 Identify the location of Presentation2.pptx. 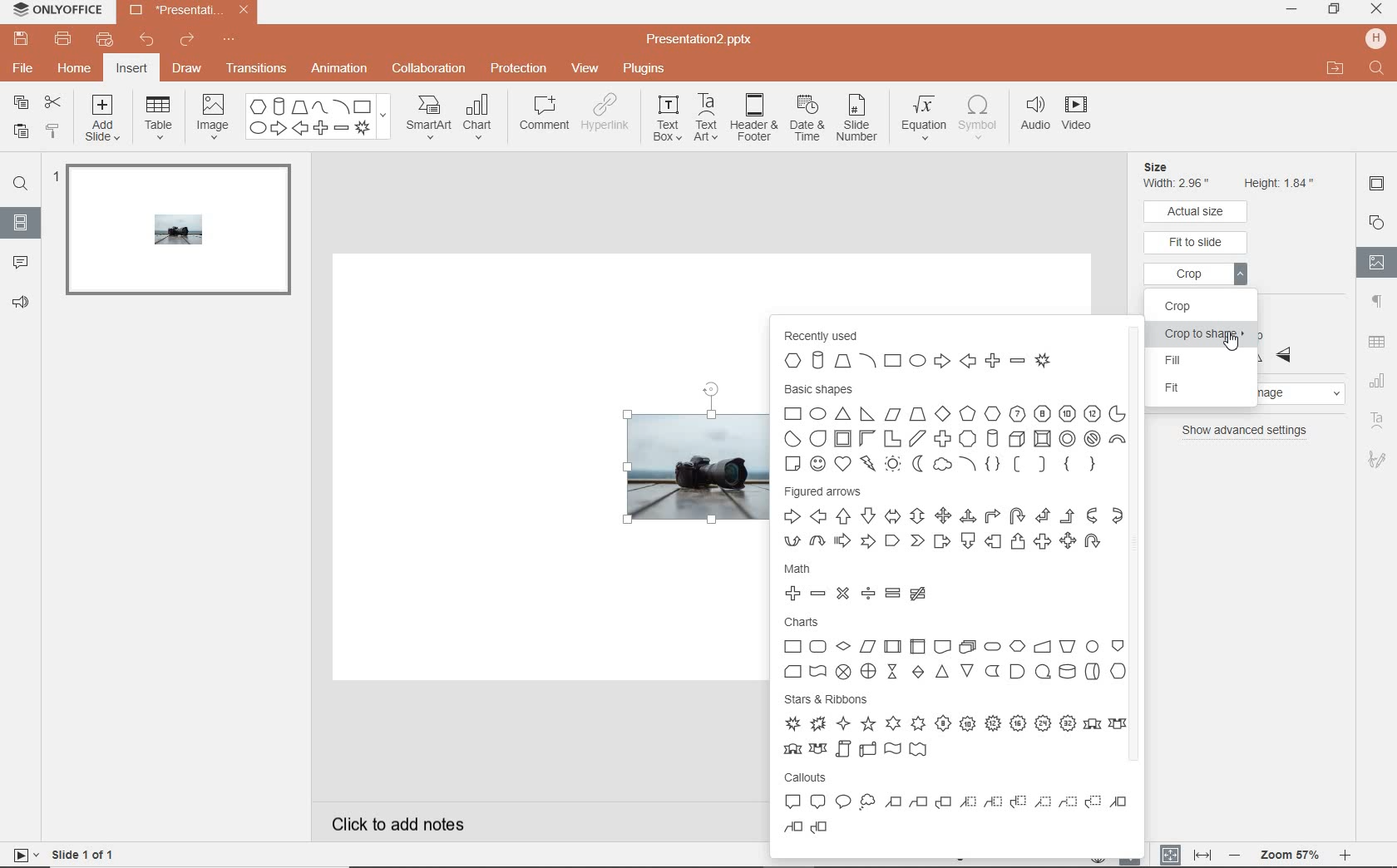
(185, 12).